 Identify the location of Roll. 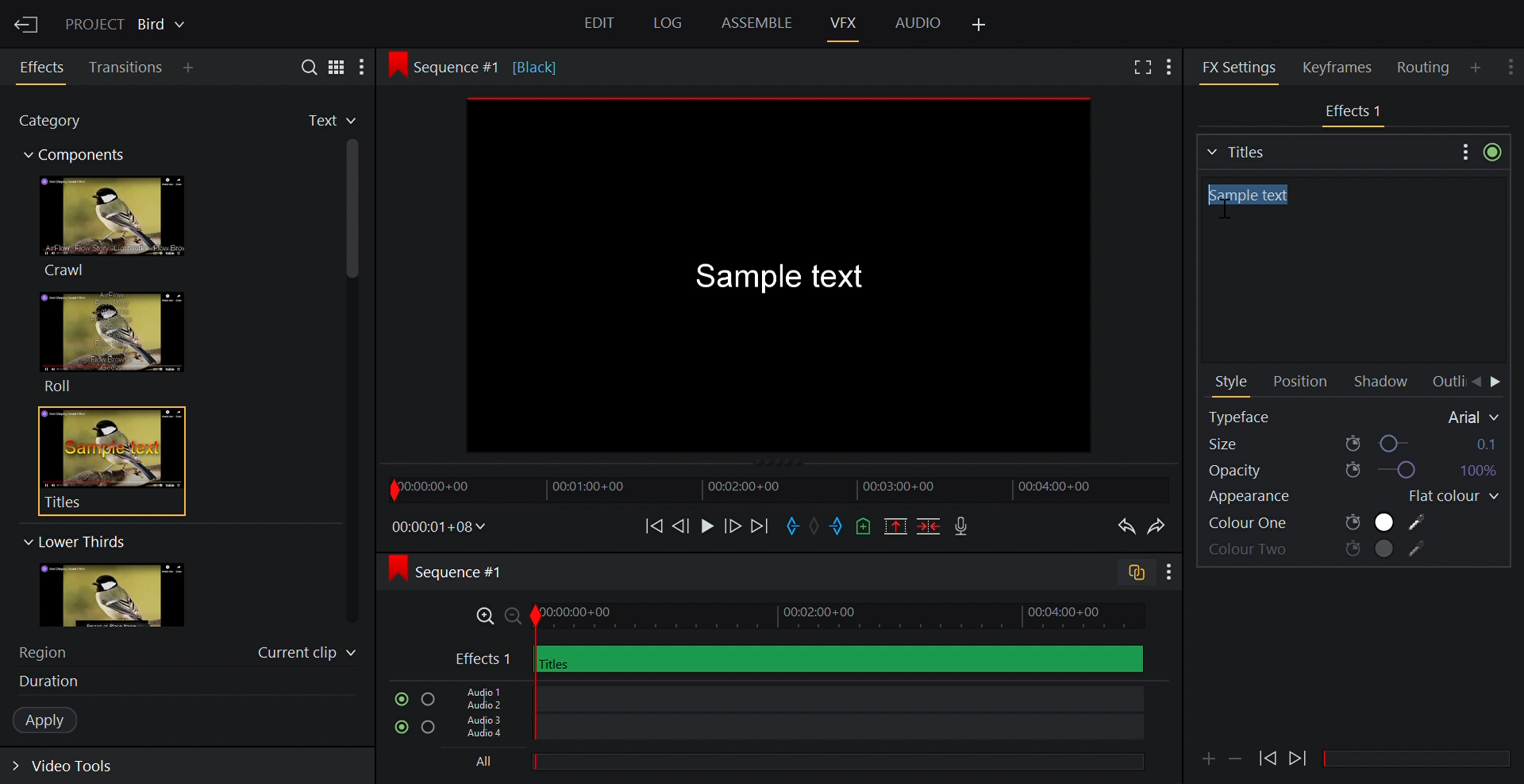
(111, 342).